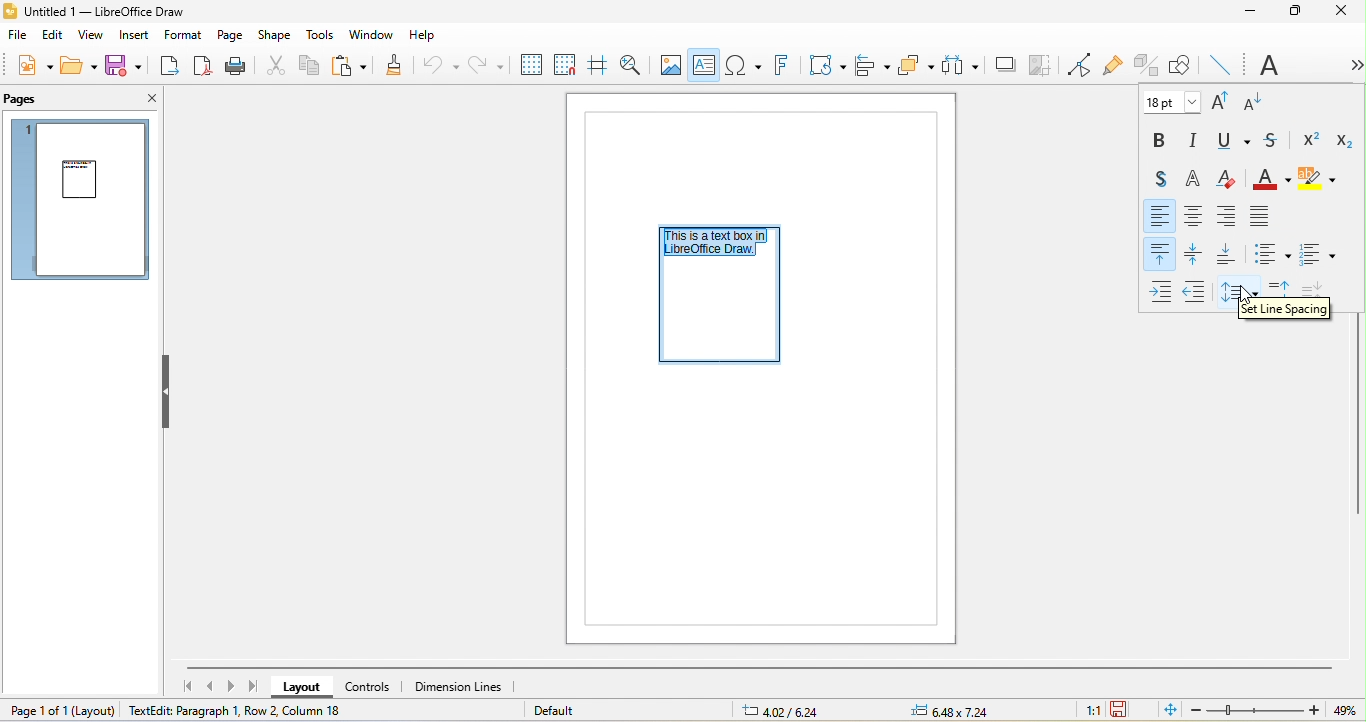  I want to click on align left, so click(1161, 215).